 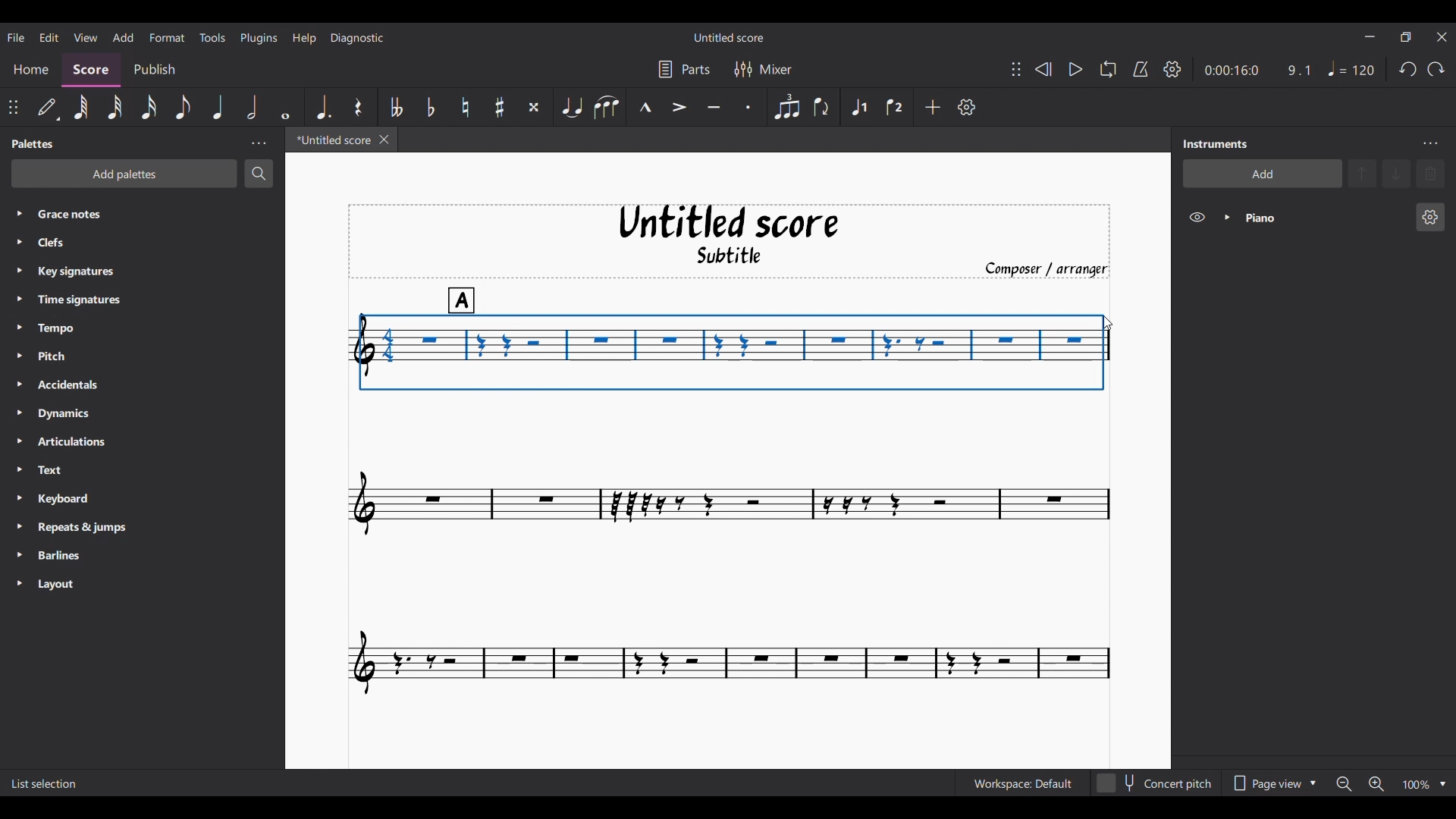 I want to click on Plugins menu, so click(x=260, y=37).